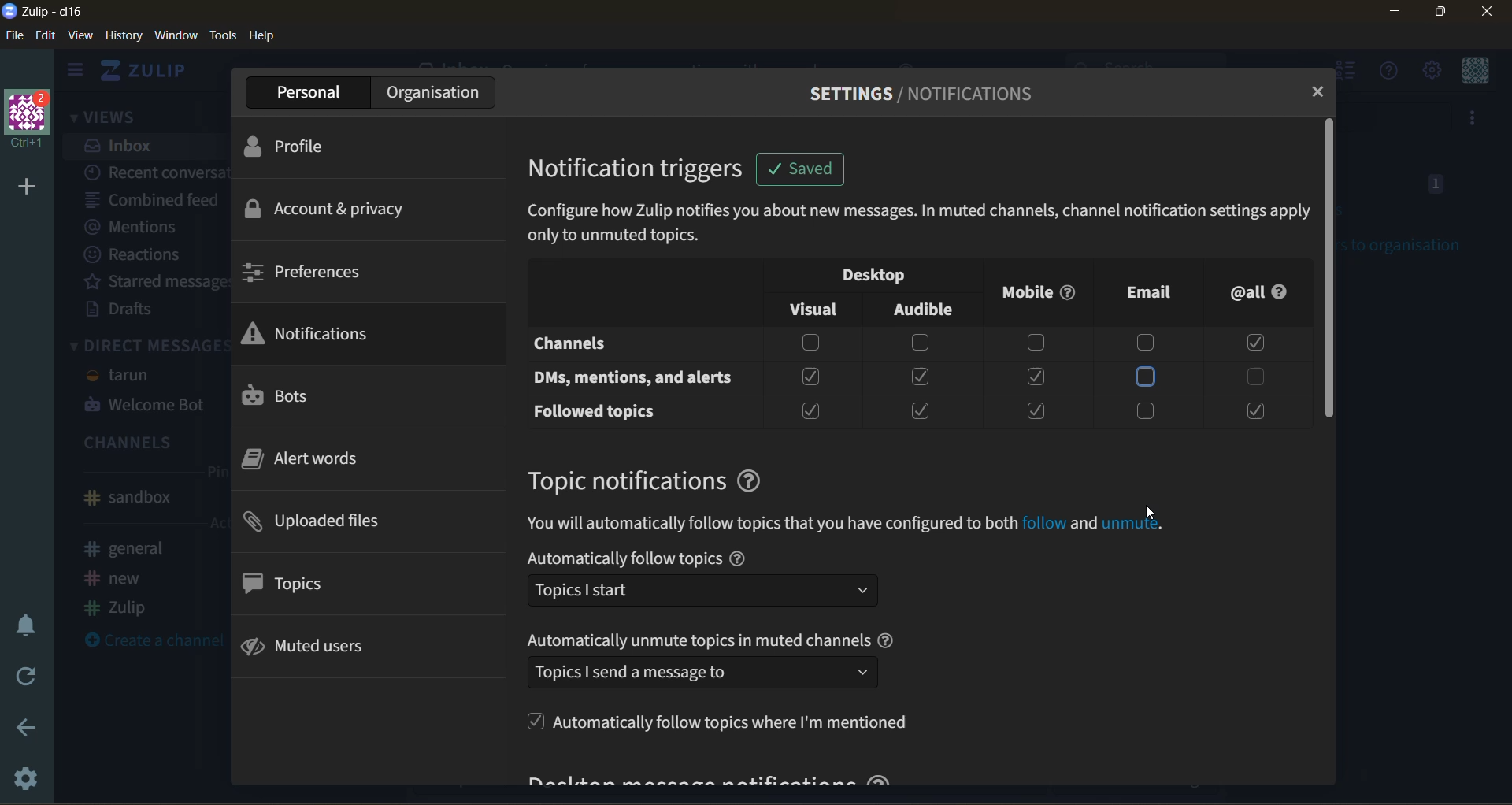  What do you see at coordinates (806, 413) in the screenshot?
I see `checkbox` at bounding box center [806, 413].